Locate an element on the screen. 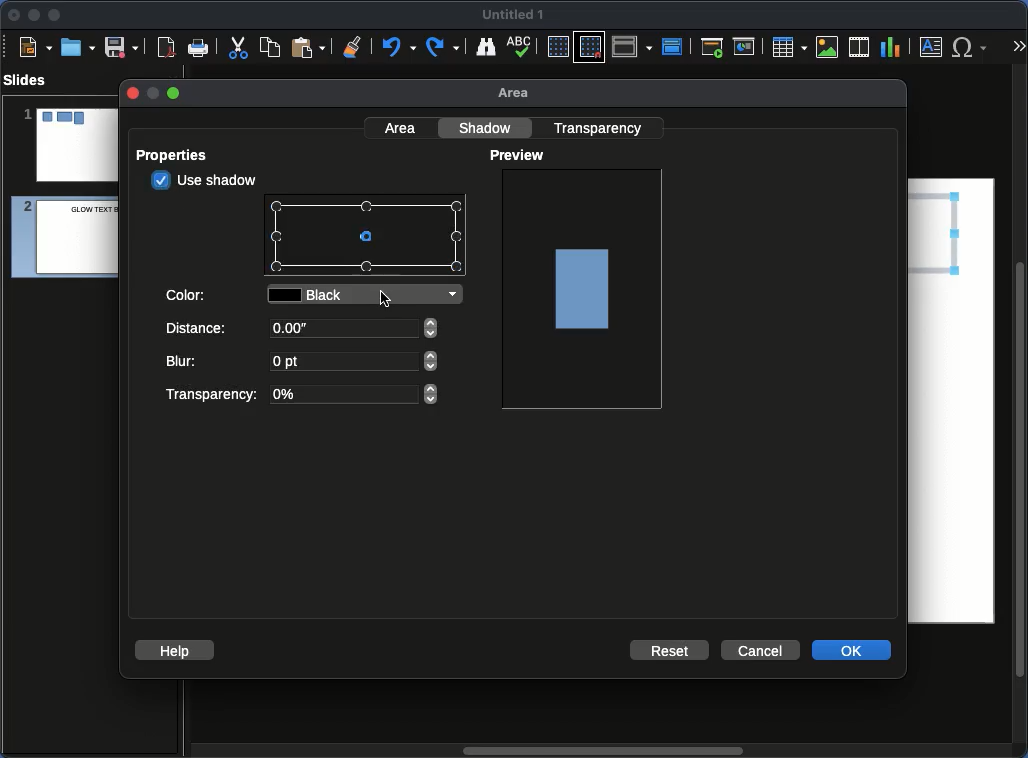 This screenshot has height=758, width=1028. New is located at coordinates (35, 46).